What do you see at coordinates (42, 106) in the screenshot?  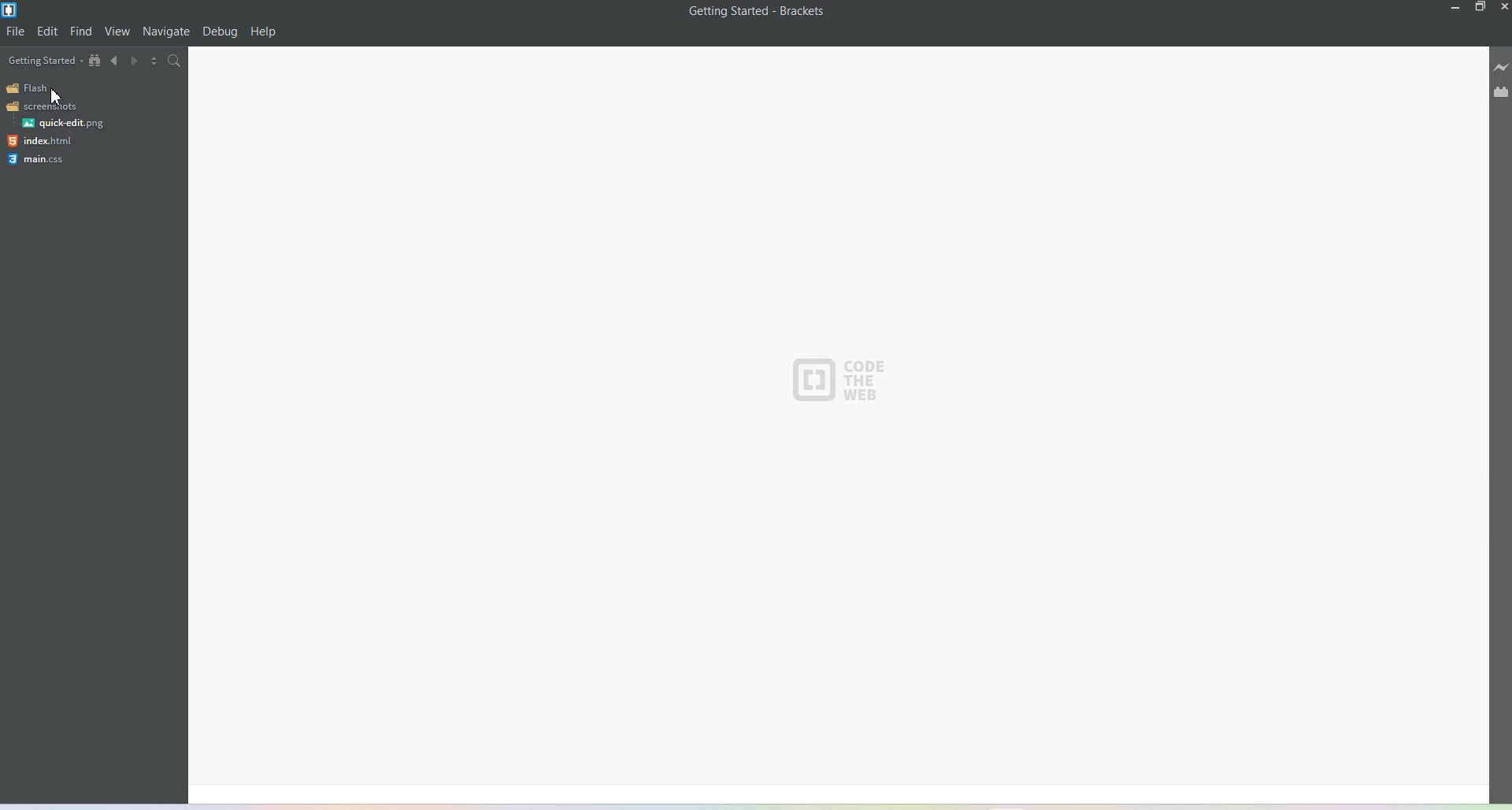 I see `Logo` at bounding box center [42, 106].